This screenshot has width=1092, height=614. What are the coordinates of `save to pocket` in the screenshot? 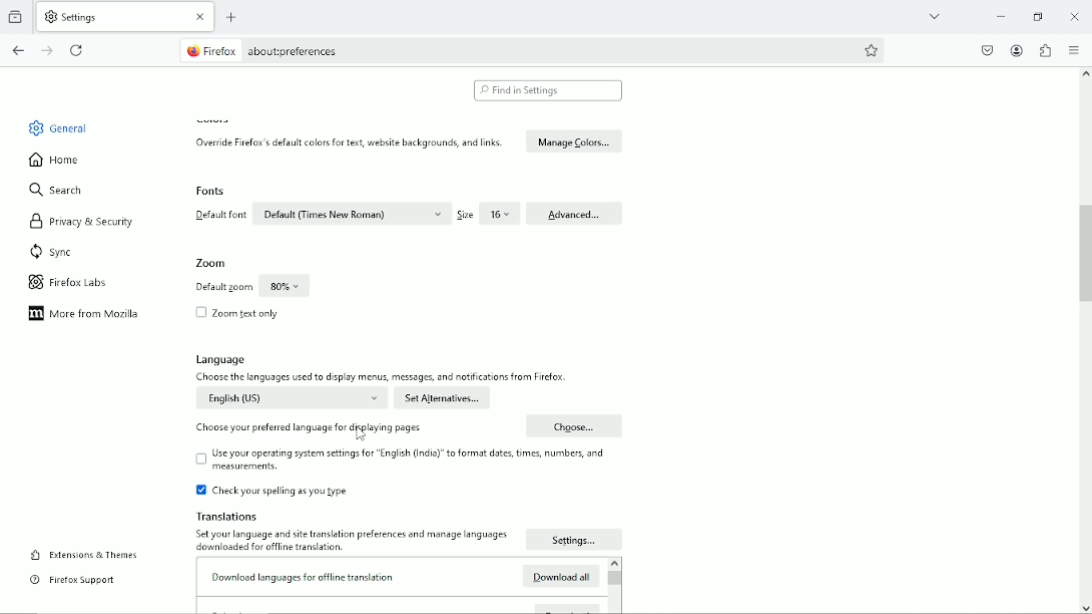 It's located at (985, 50).